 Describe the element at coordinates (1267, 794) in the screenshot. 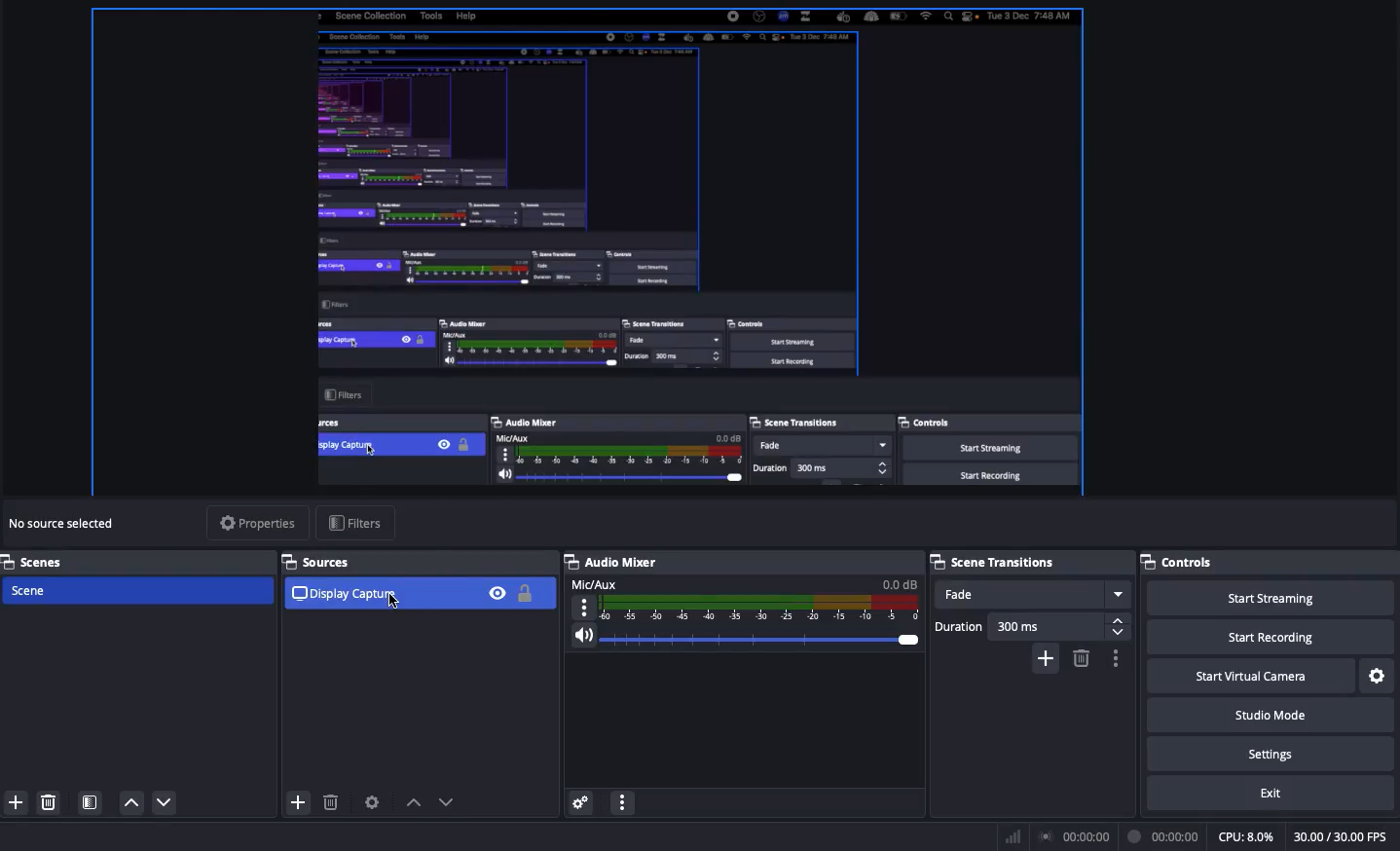

I see `Exit` at that location.